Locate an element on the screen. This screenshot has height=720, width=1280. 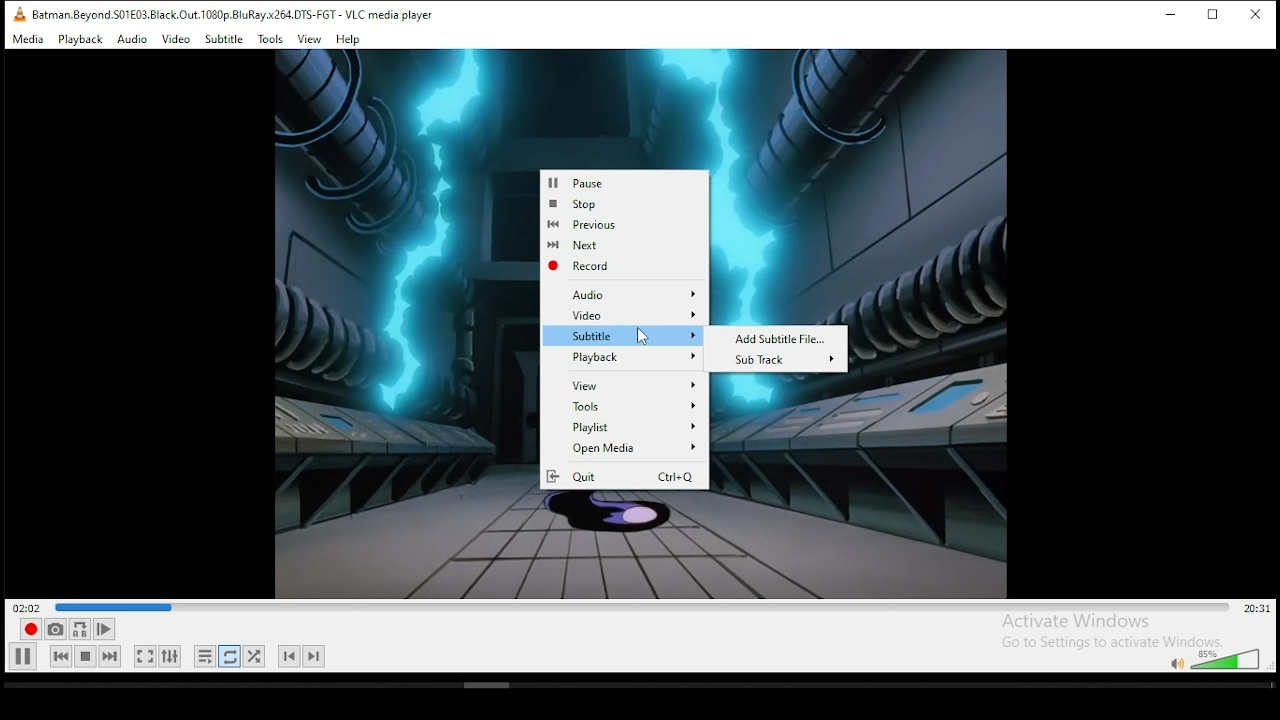
View options is located at coordinates (628, 384).